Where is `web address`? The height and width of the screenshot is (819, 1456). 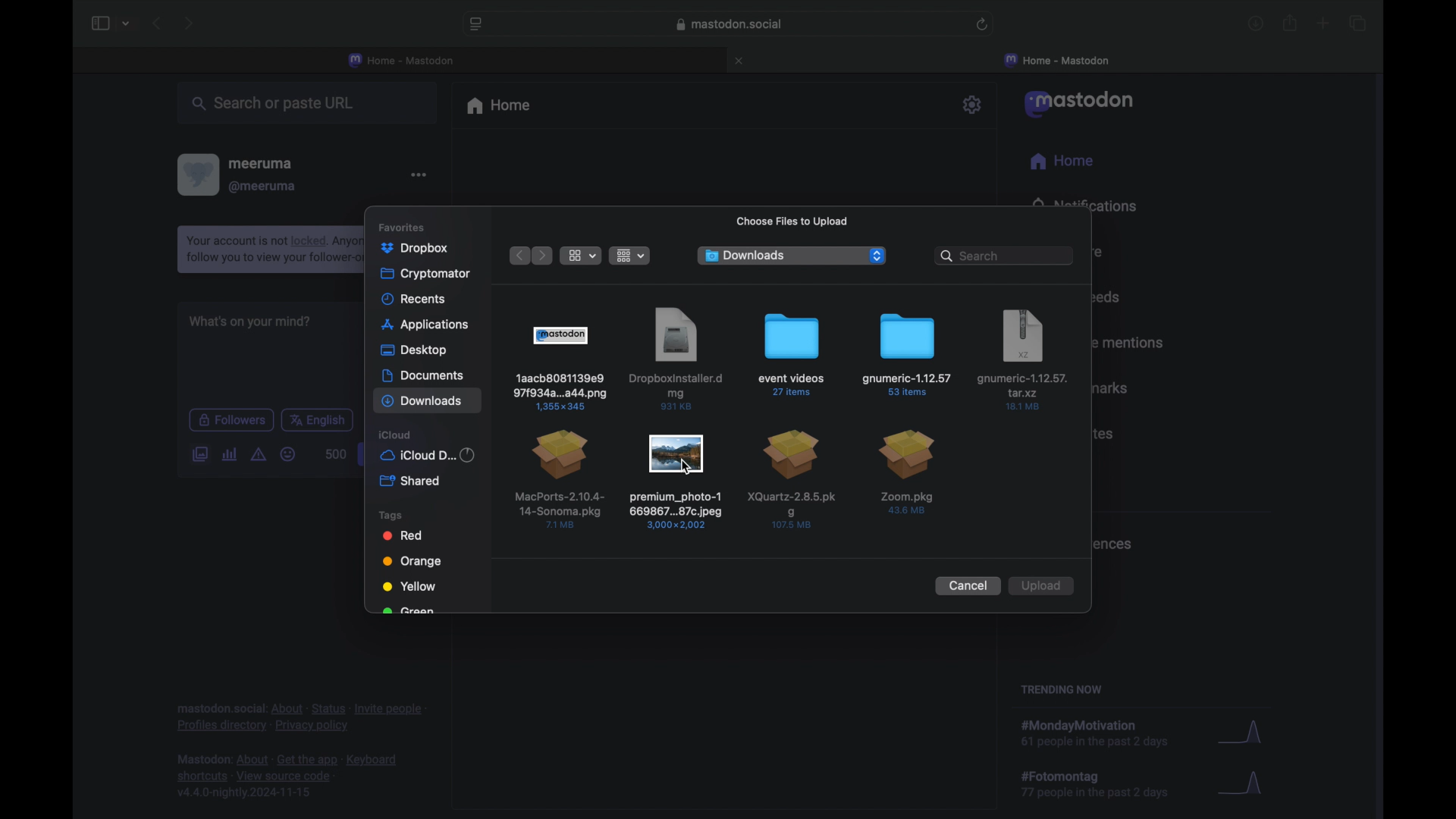
web address is located at coordinates (730, 24).